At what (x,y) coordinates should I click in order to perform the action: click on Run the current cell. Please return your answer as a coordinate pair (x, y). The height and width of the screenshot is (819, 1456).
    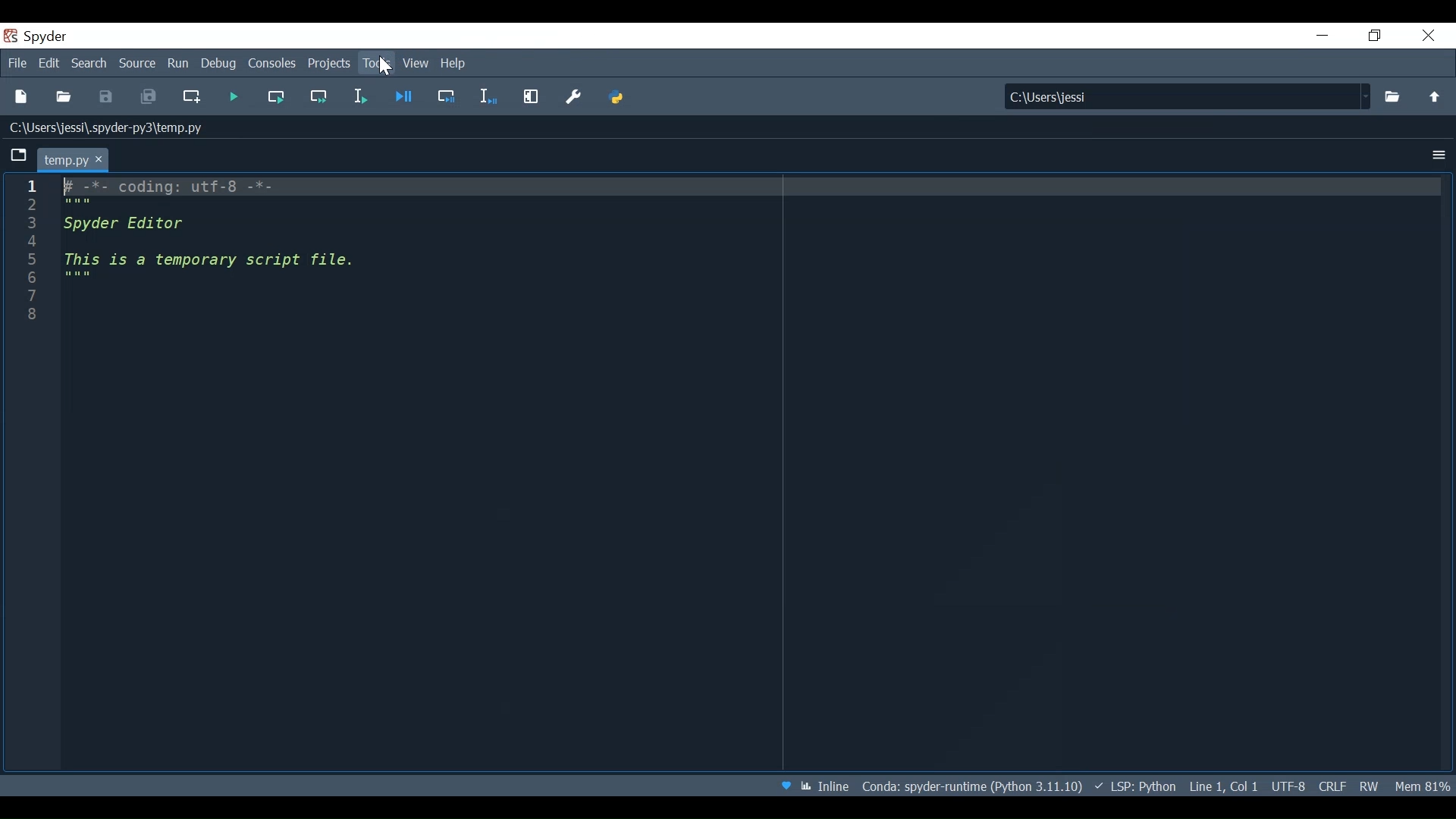
    Looking at the image, I should click on (275, 98).